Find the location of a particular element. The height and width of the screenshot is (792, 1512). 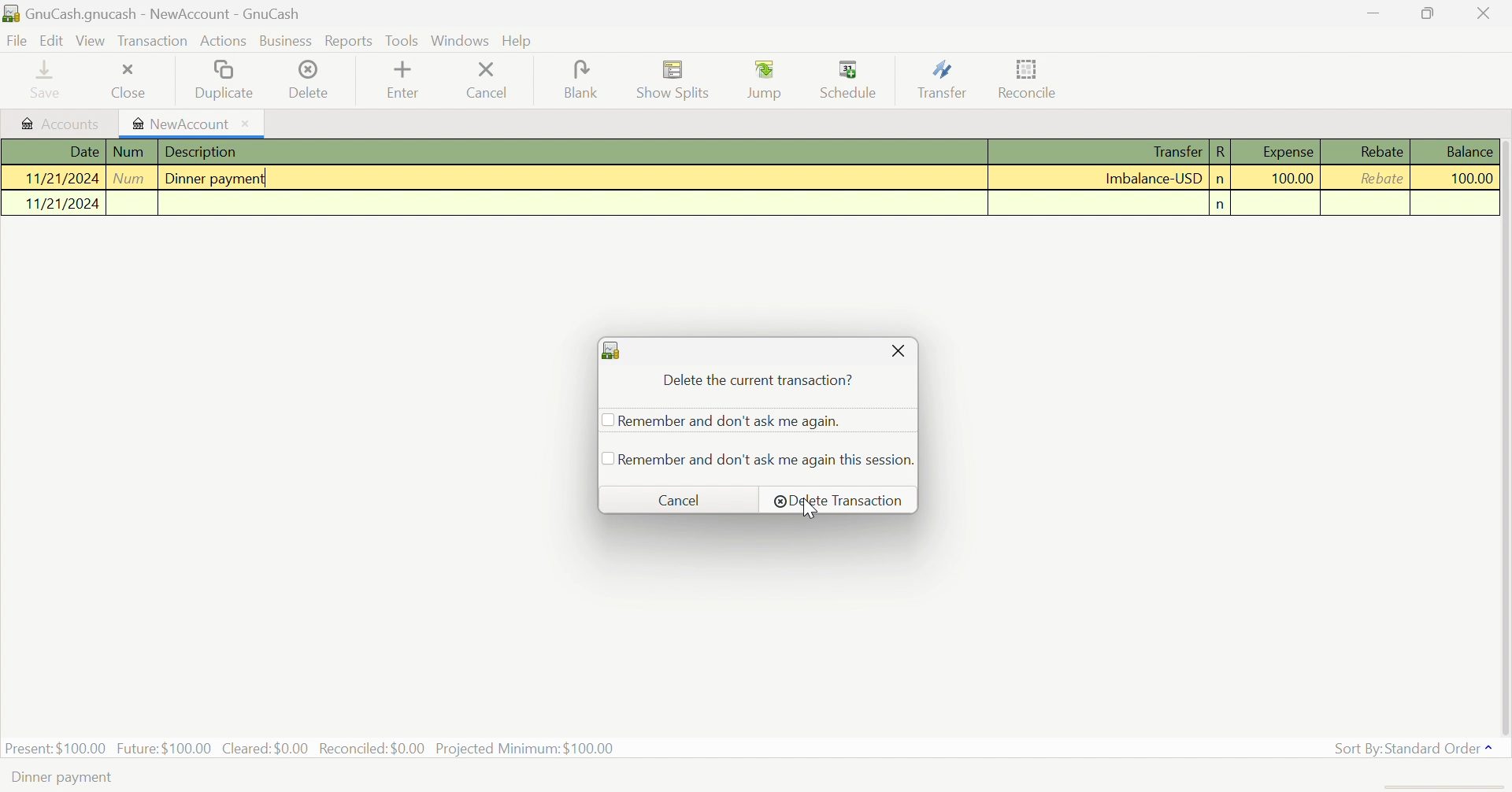

11/21/2024 is located at coordinates (65, 178).